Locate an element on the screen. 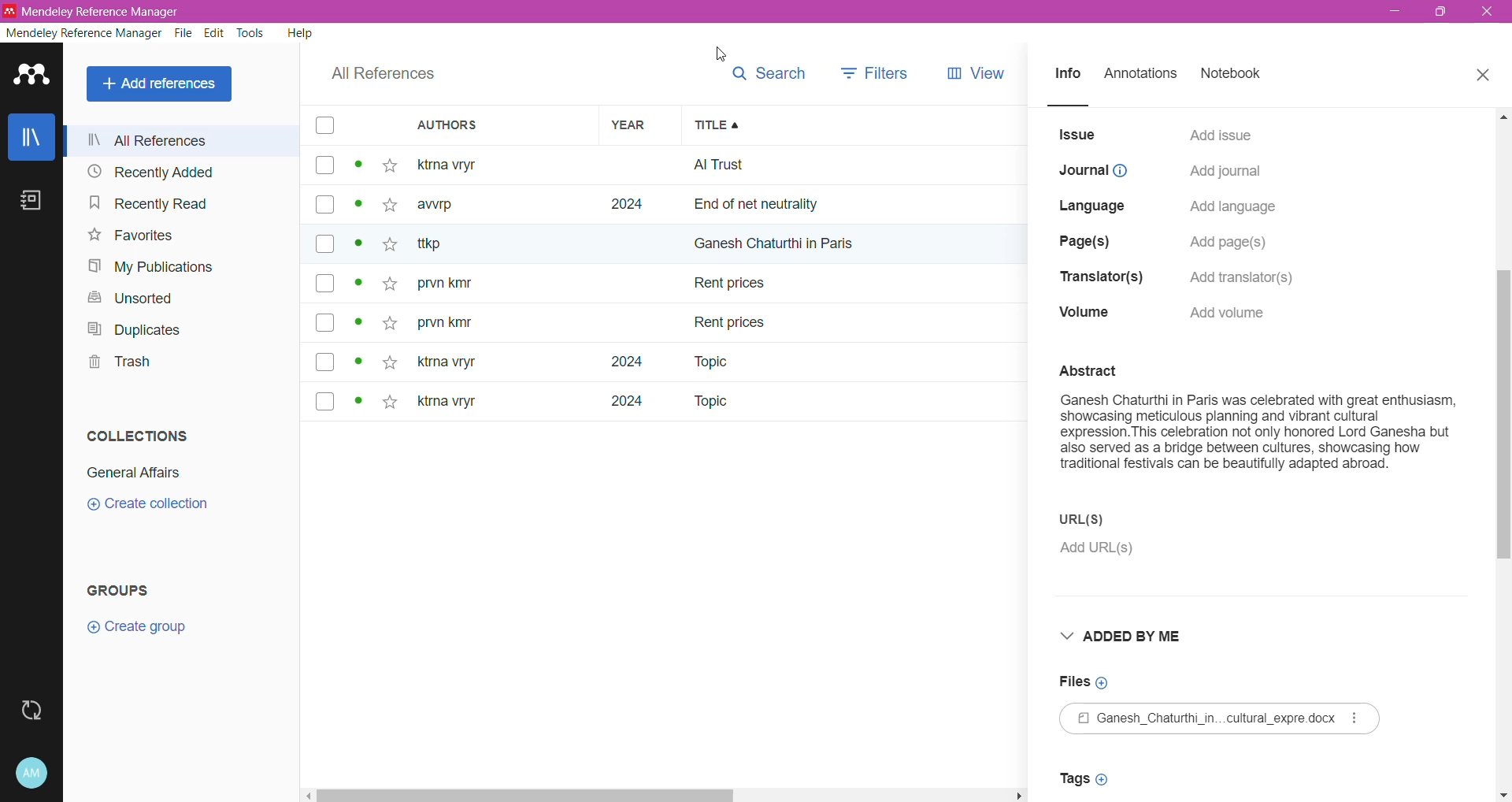 The width and height of the screenshot is (1512, 802). Author names of the references in the Library is located at coordinates (503, 283).